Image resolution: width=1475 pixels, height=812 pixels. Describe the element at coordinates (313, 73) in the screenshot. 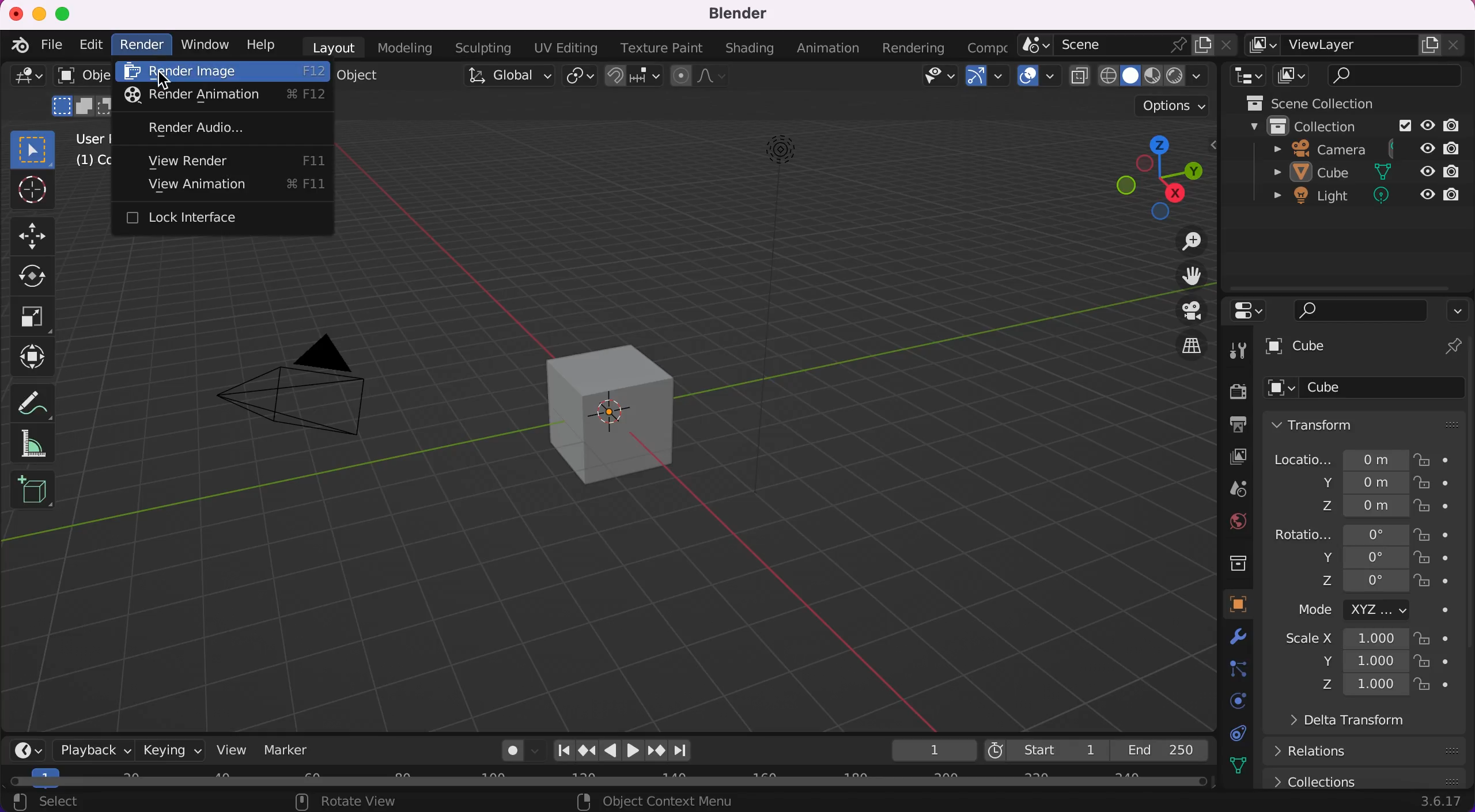

I see `f12` at that location.